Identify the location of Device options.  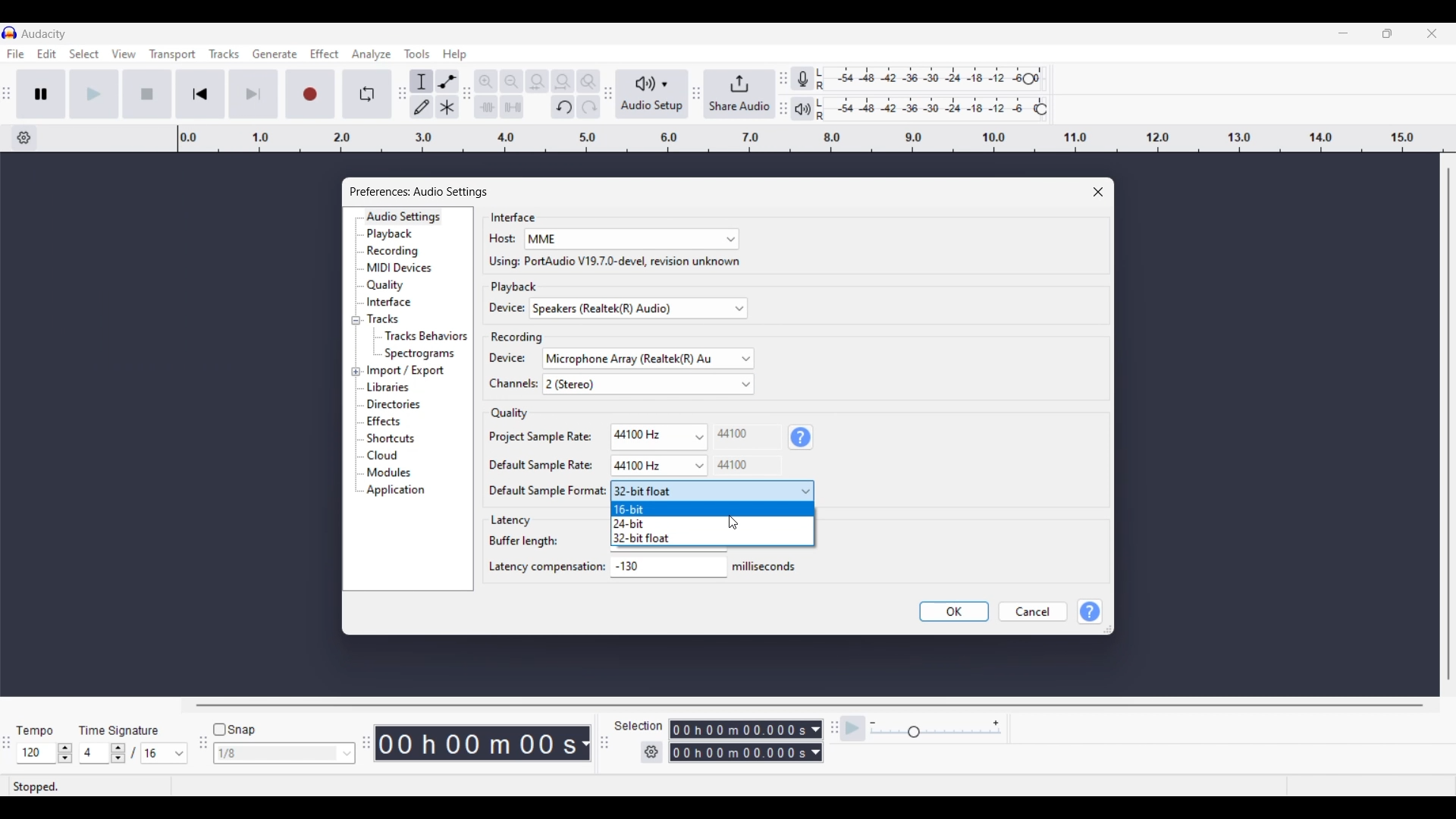
(648, 359).